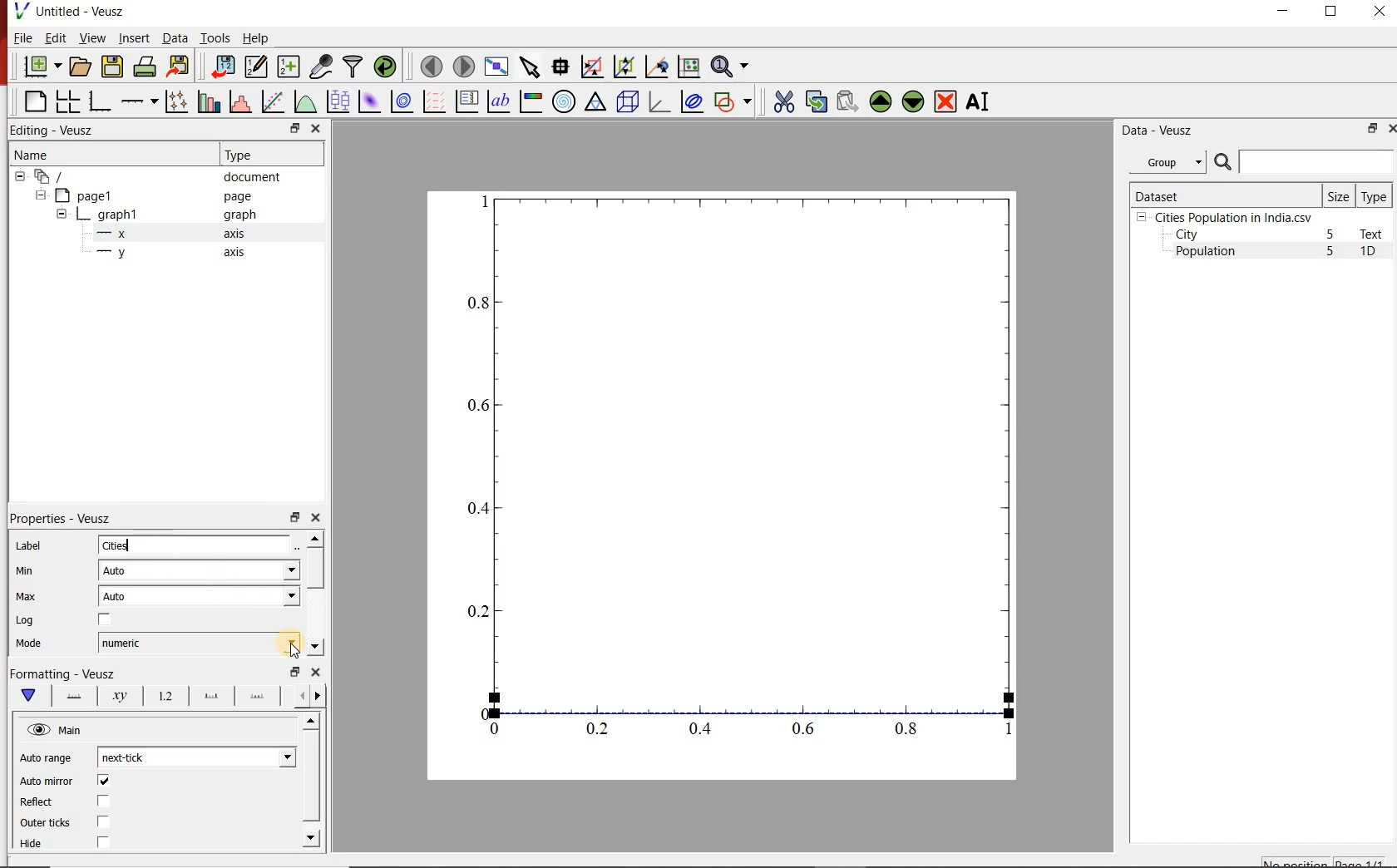  I want to click on remove the selected widgets, so click(947, 101).